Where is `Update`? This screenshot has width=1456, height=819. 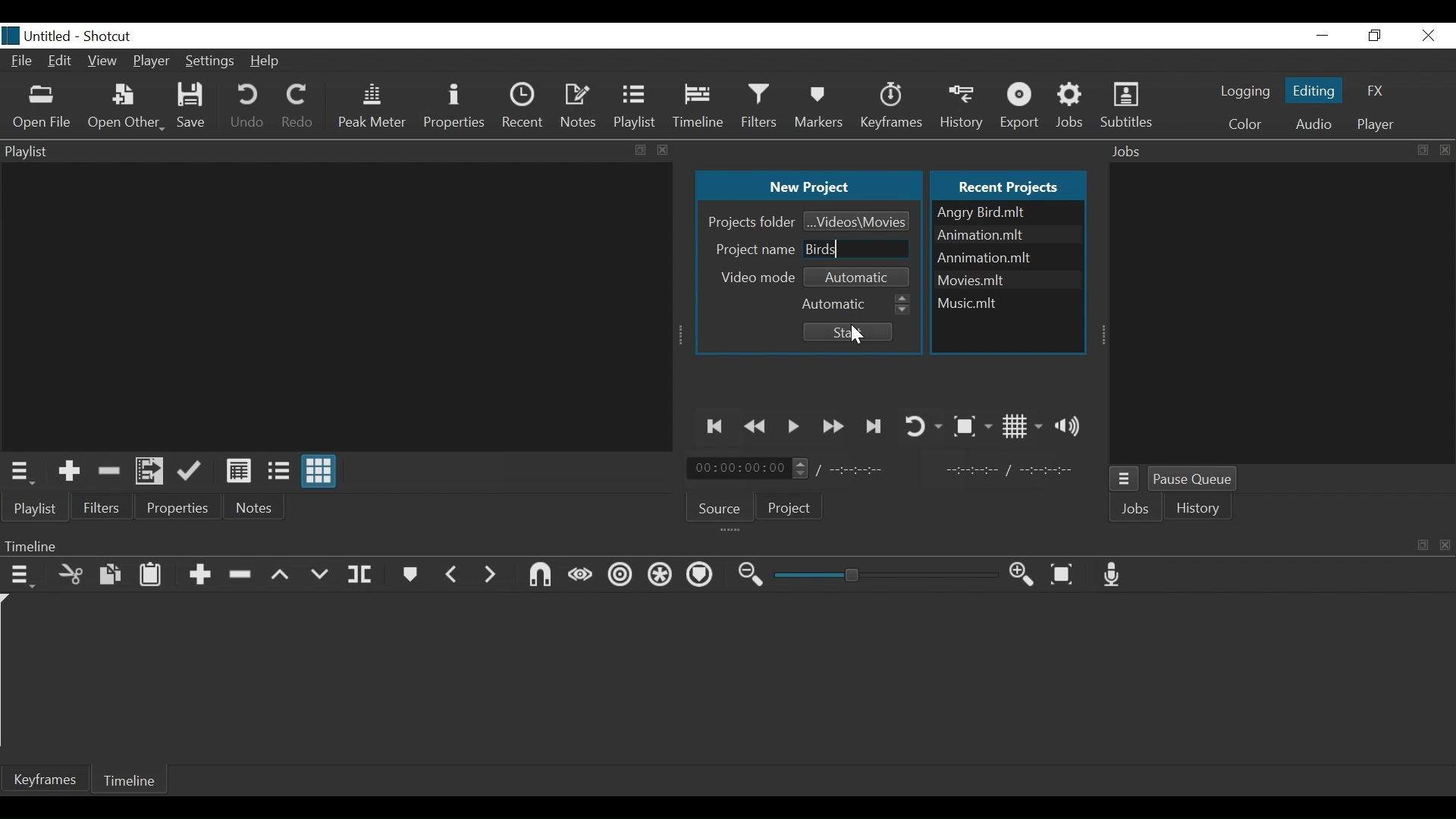 Update is located at coordinates (193, 472).